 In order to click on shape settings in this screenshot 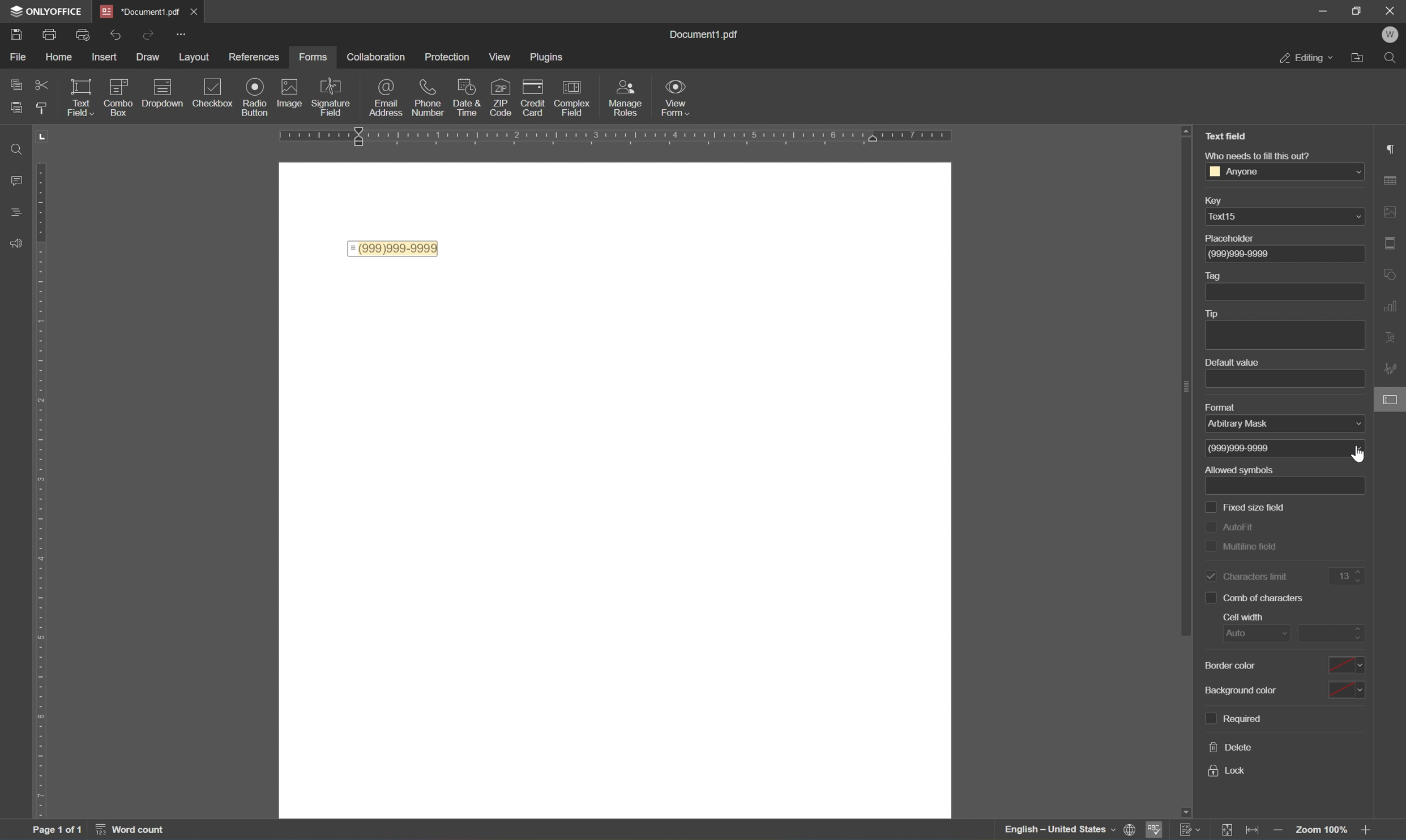, I will do `click(1393, 271)`.